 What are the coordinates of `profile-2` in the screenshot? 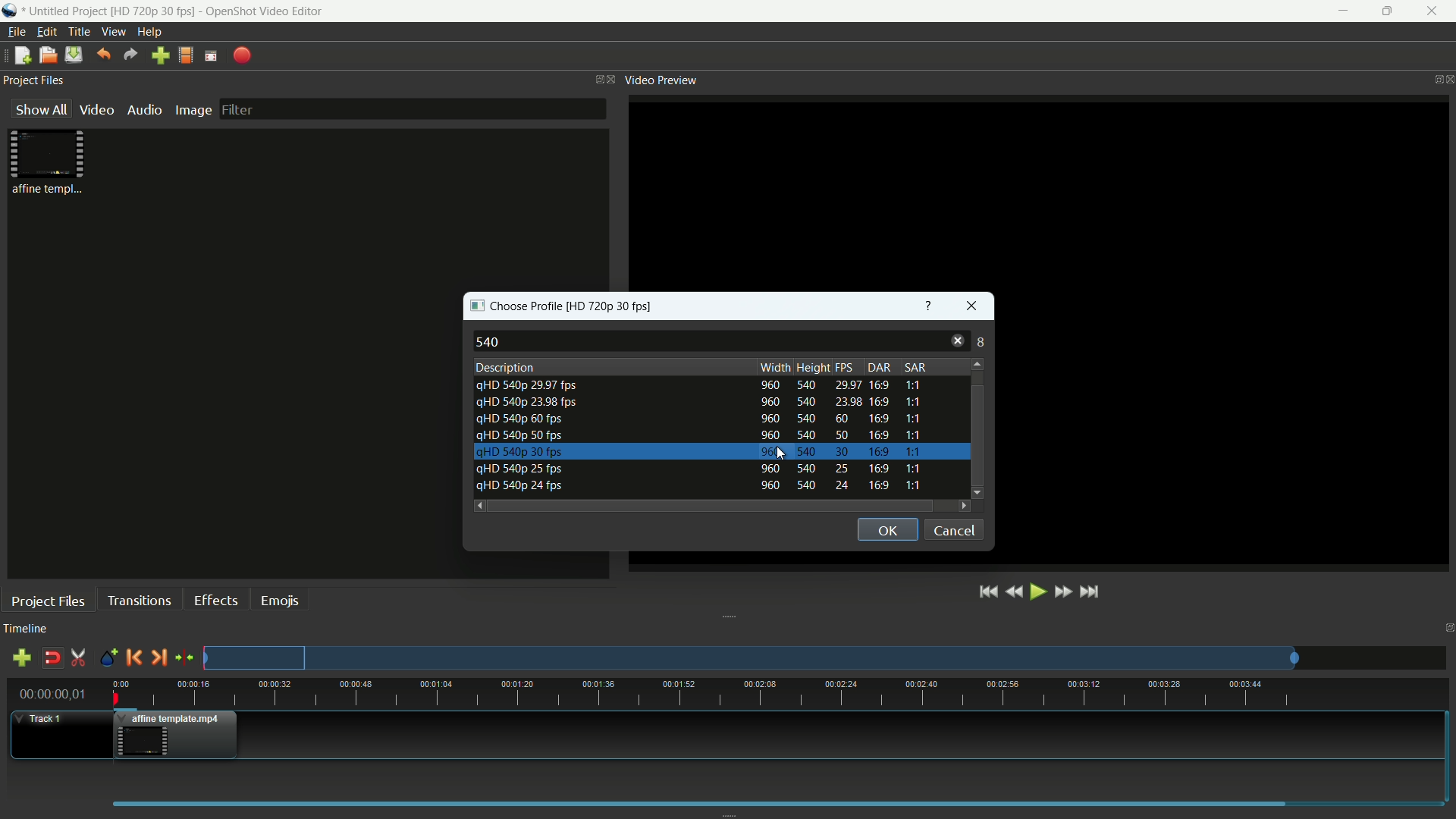 It's located at (704, 402).